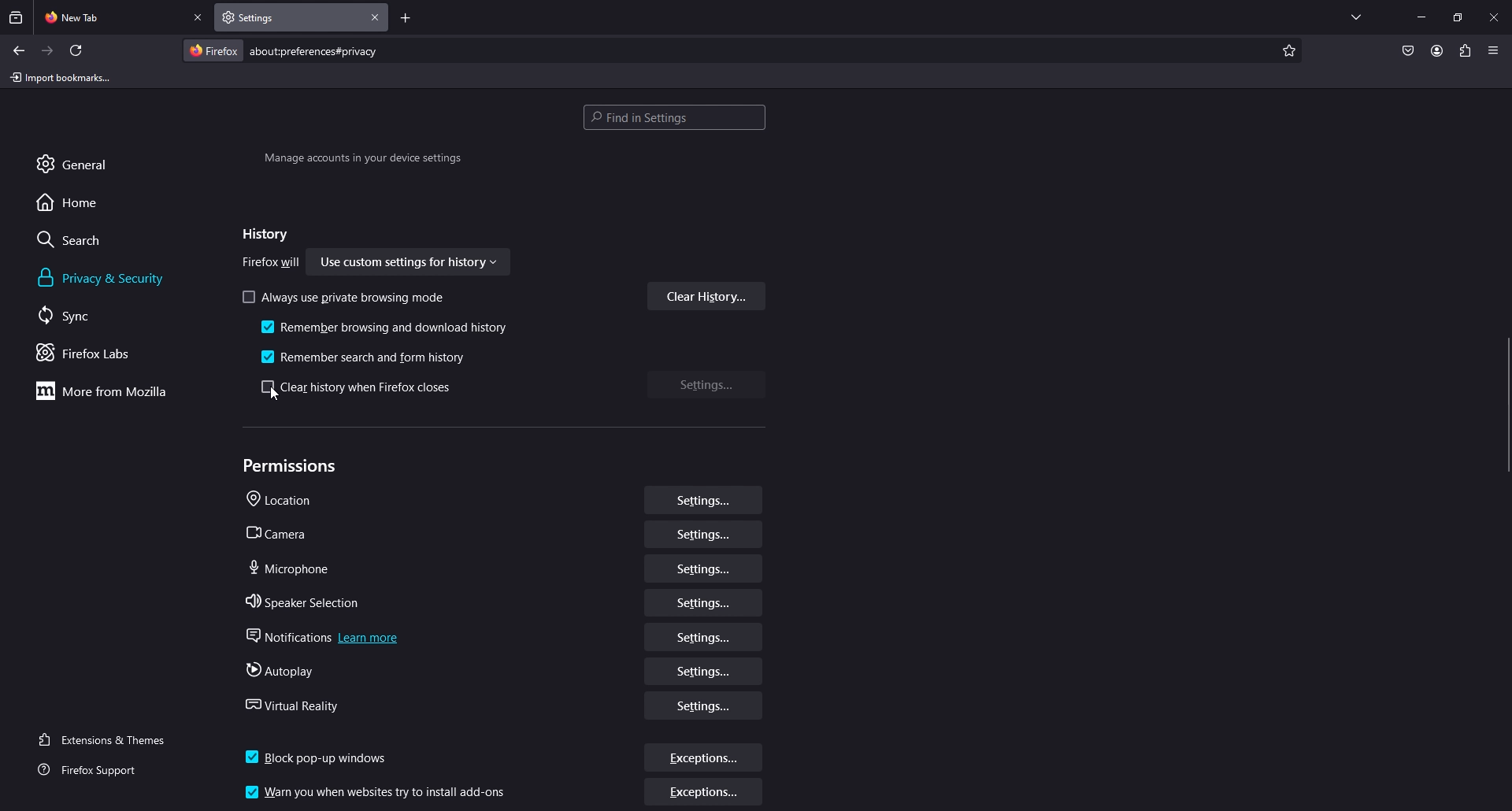 The image size is (1512, 811). I want to click on clear history, so click(707, 296).